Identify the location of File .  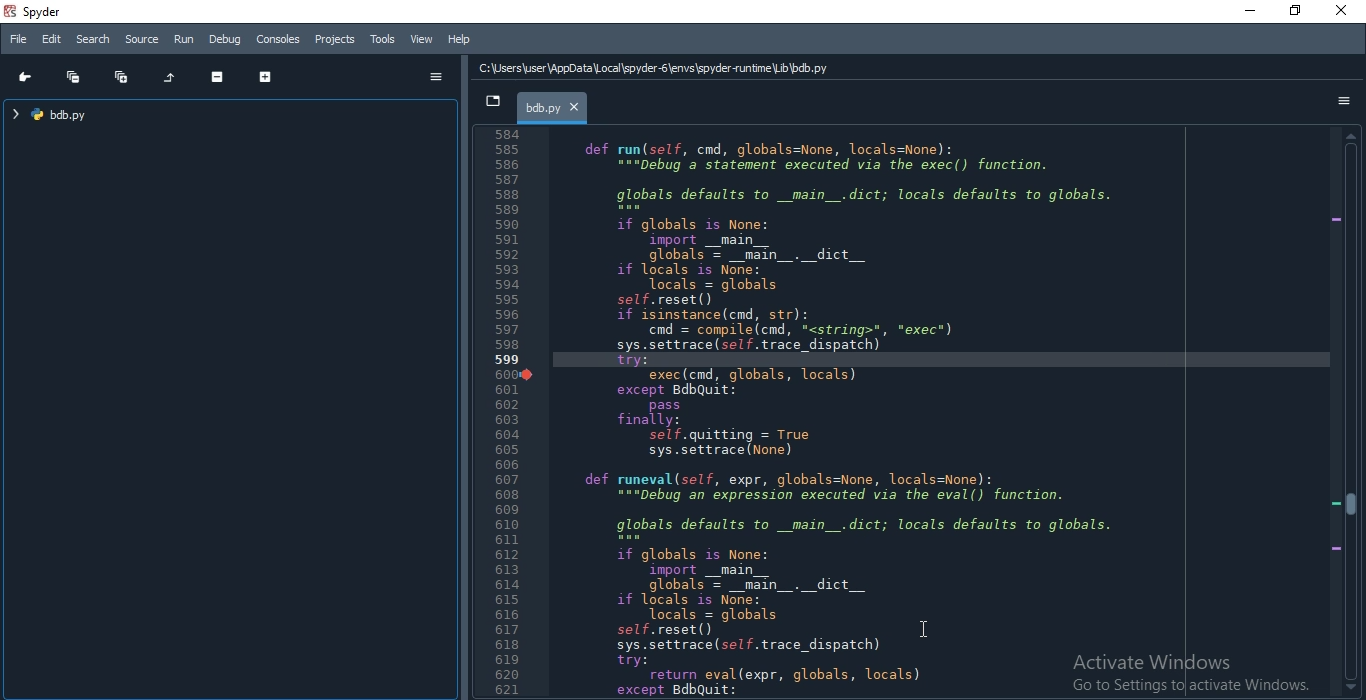
(19, 41).